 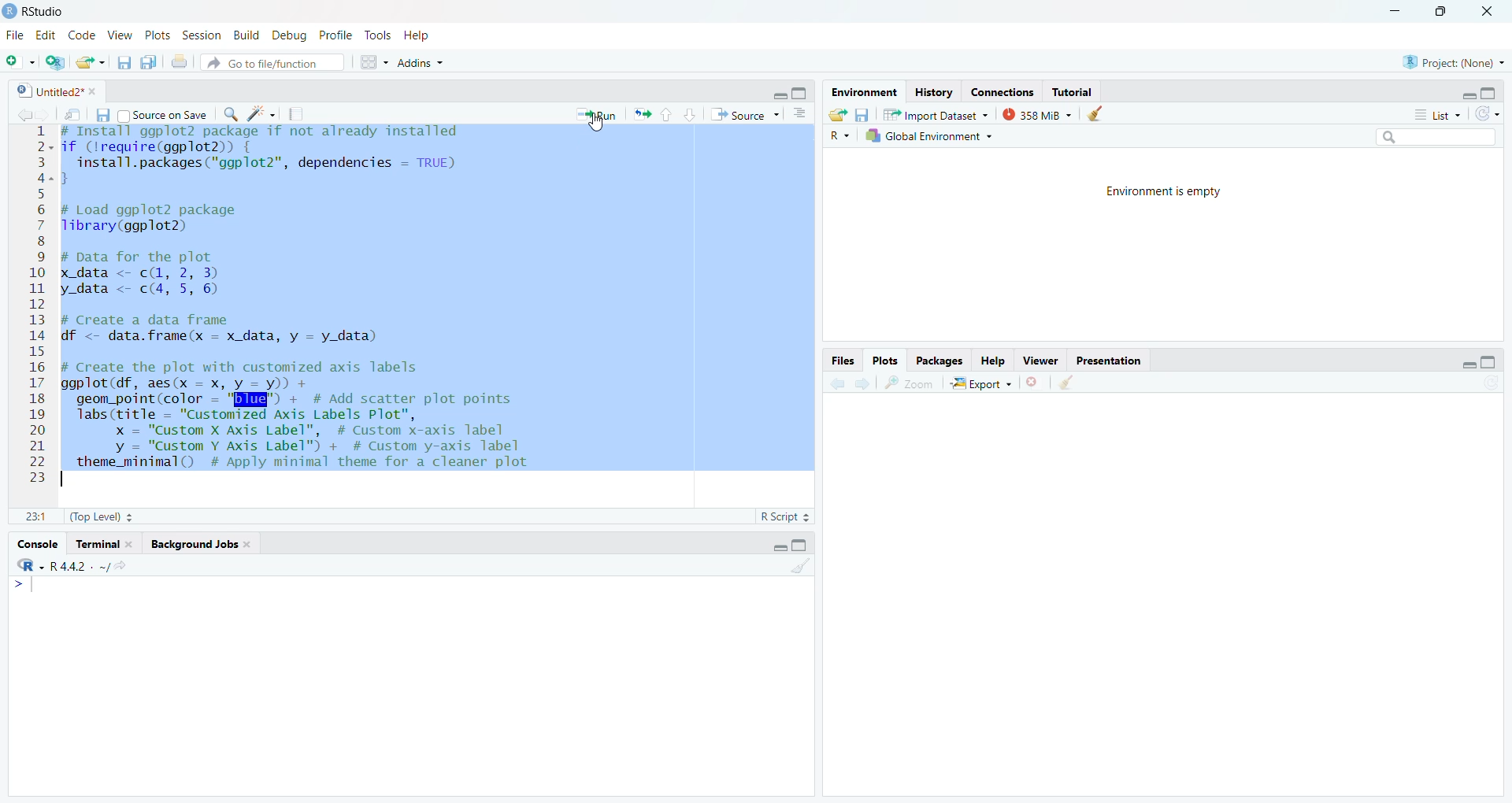 What do you see at coordinates (1039, 115) in the screenshot?
I see `© 363 MmiB +` at bounding box center [1039, 115].